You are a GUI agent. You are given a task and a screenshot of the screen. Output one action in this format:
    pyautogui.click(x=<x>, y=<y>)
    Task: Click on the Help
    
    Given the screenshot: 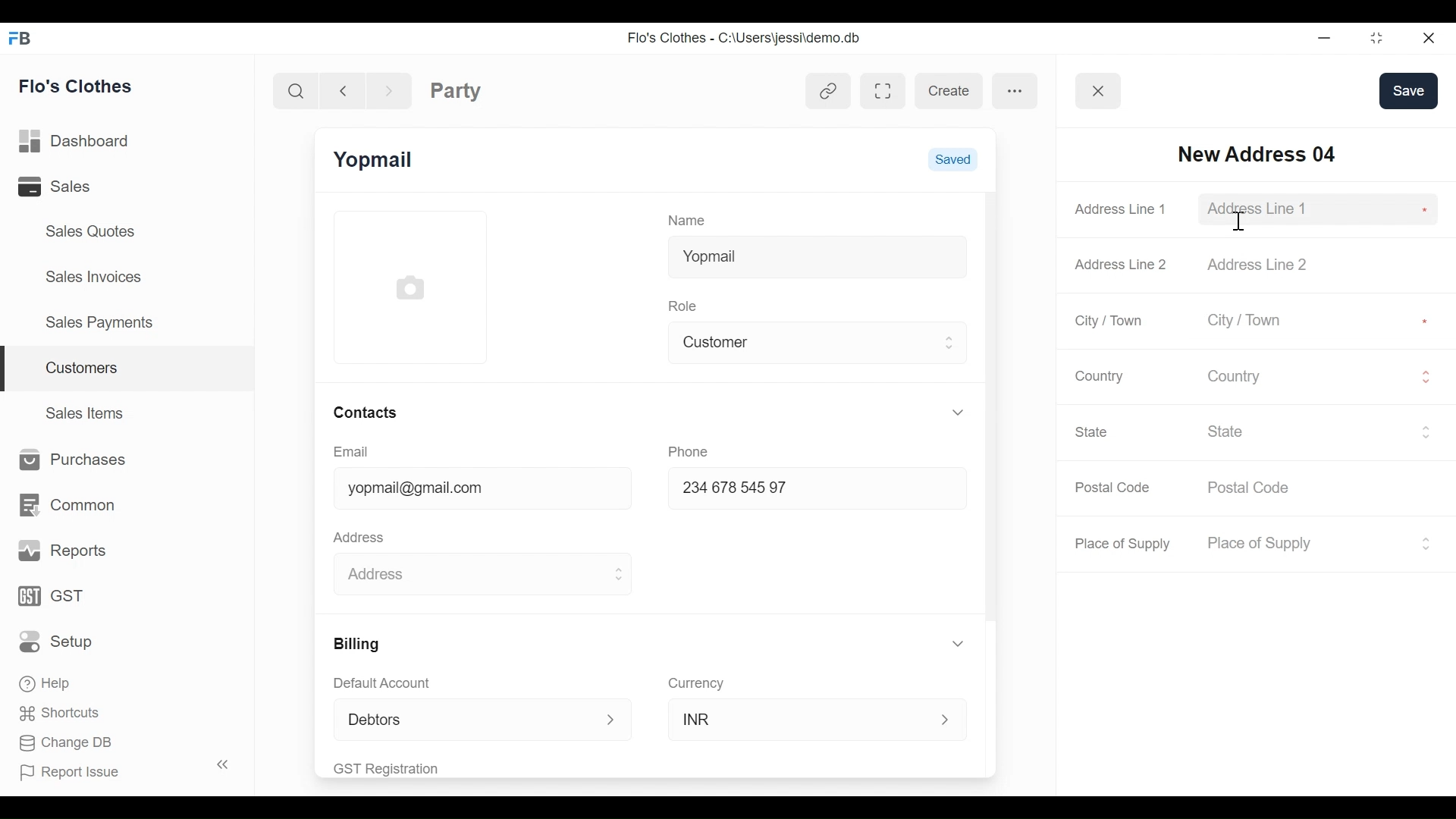 What is the action you would take?
    pyautogui.click(x=47, y=681)
    